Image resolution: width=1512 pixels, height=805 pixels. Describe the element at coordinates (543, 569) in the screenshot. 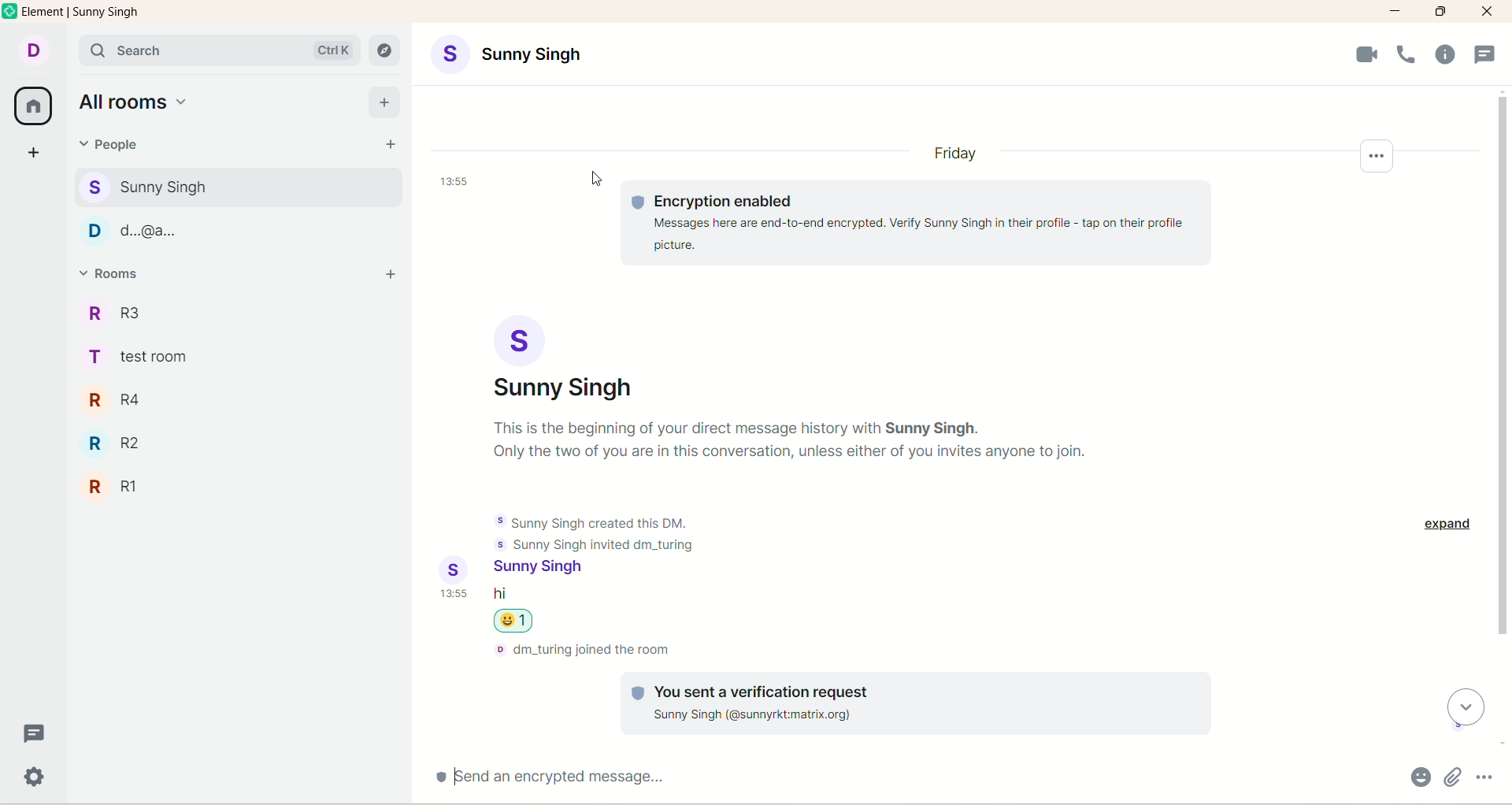

I see `account` at that location.